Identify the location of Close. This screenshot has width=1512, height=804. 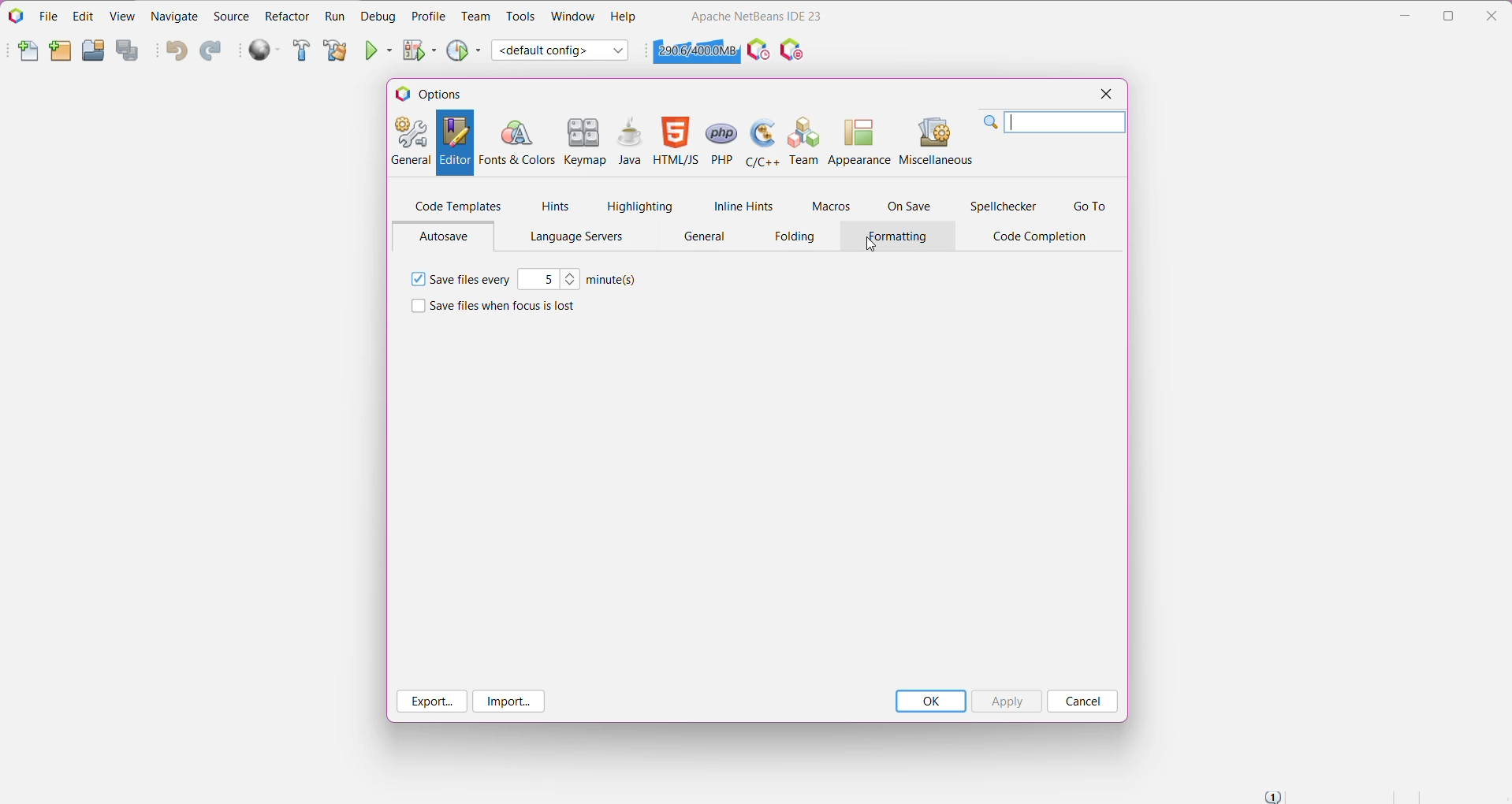
(1104, 95).